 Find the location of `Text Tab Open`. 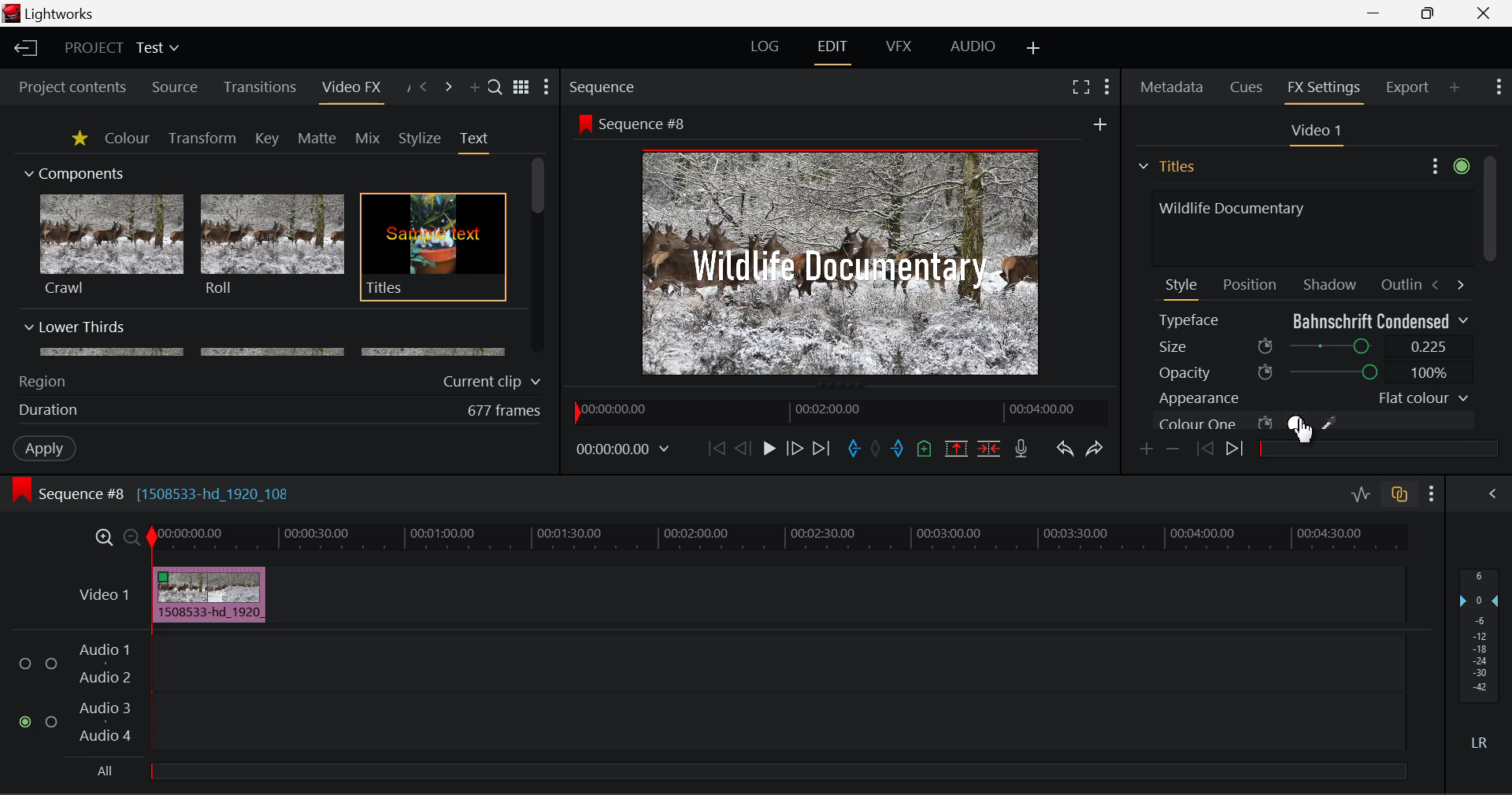

Text Tab Open is located at coordinates (478, 142).